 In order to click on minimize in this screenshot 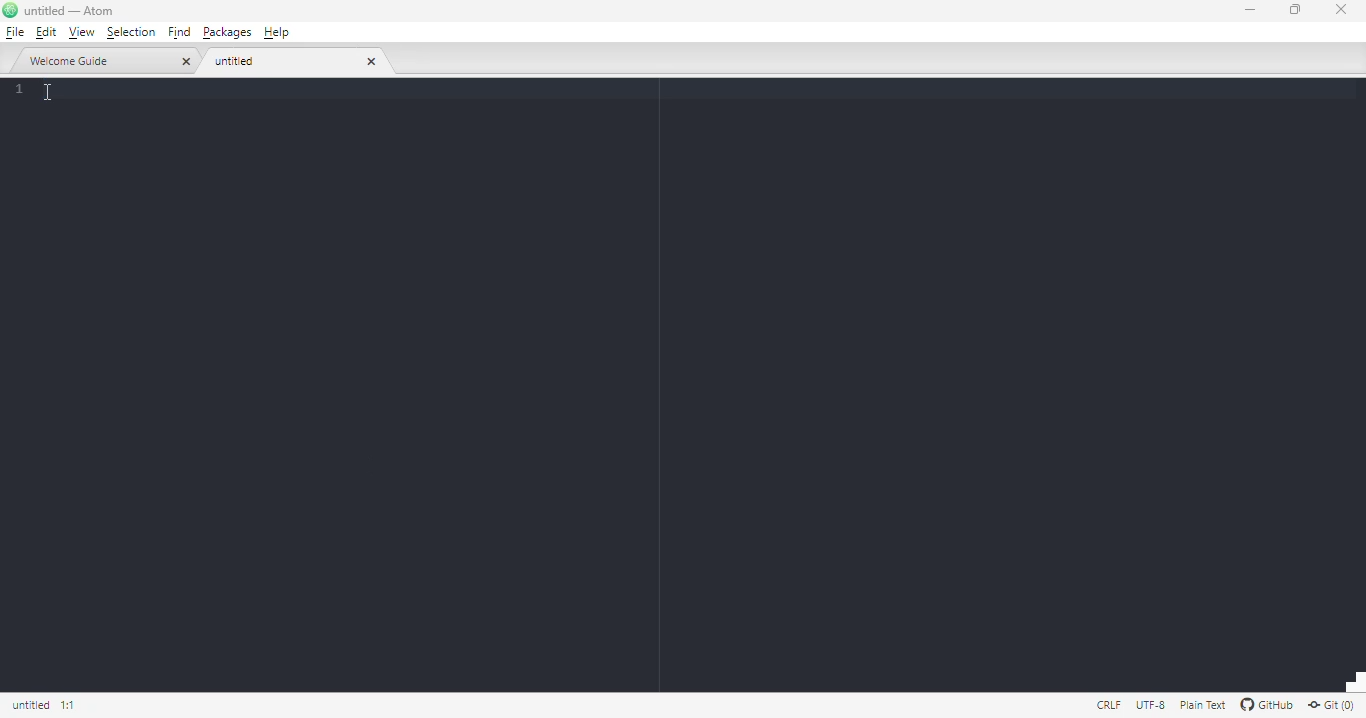, I will do `click(1252, 9)`.